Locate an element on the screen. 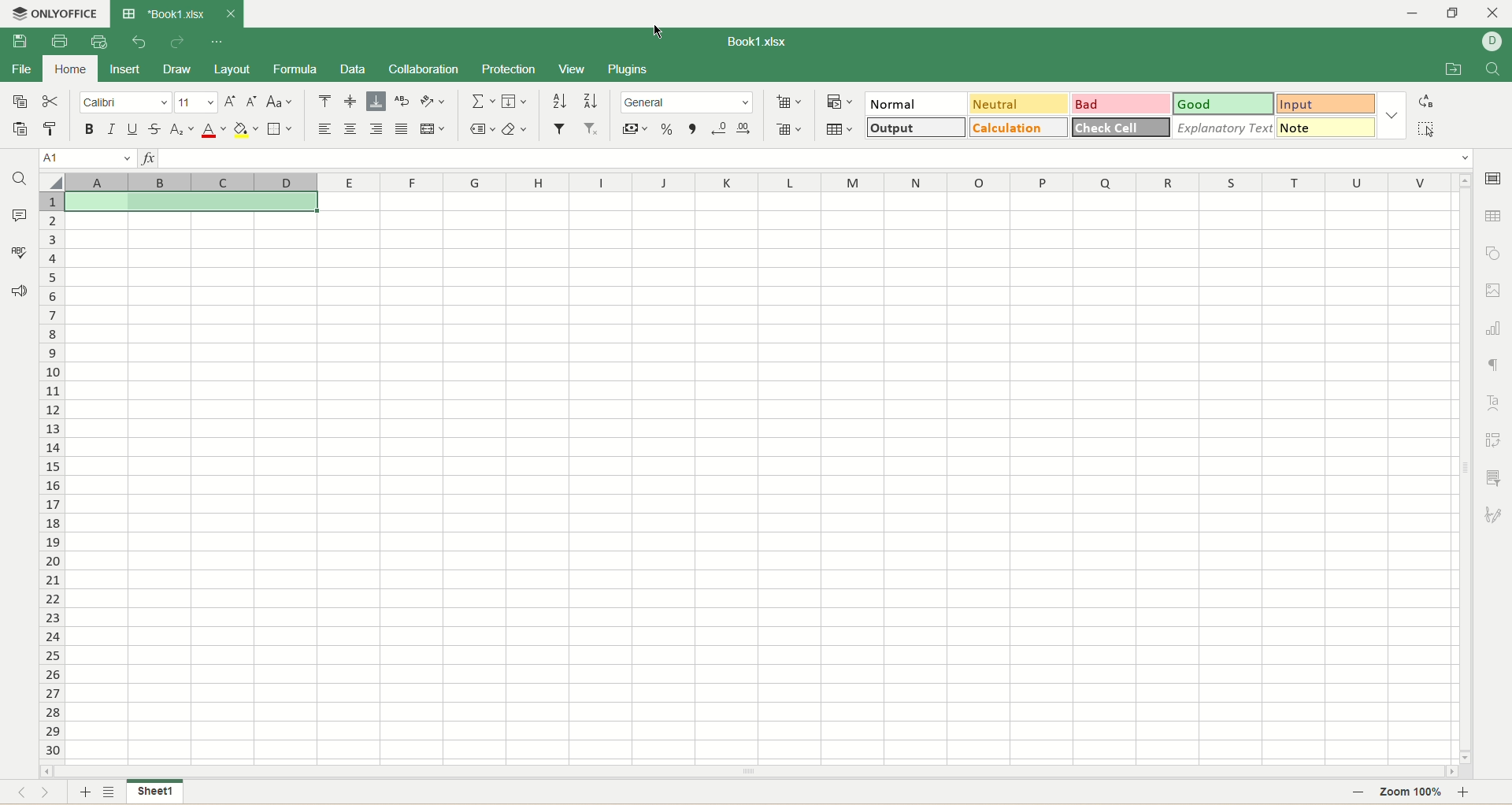  bold is located at coordinates (90, 128).